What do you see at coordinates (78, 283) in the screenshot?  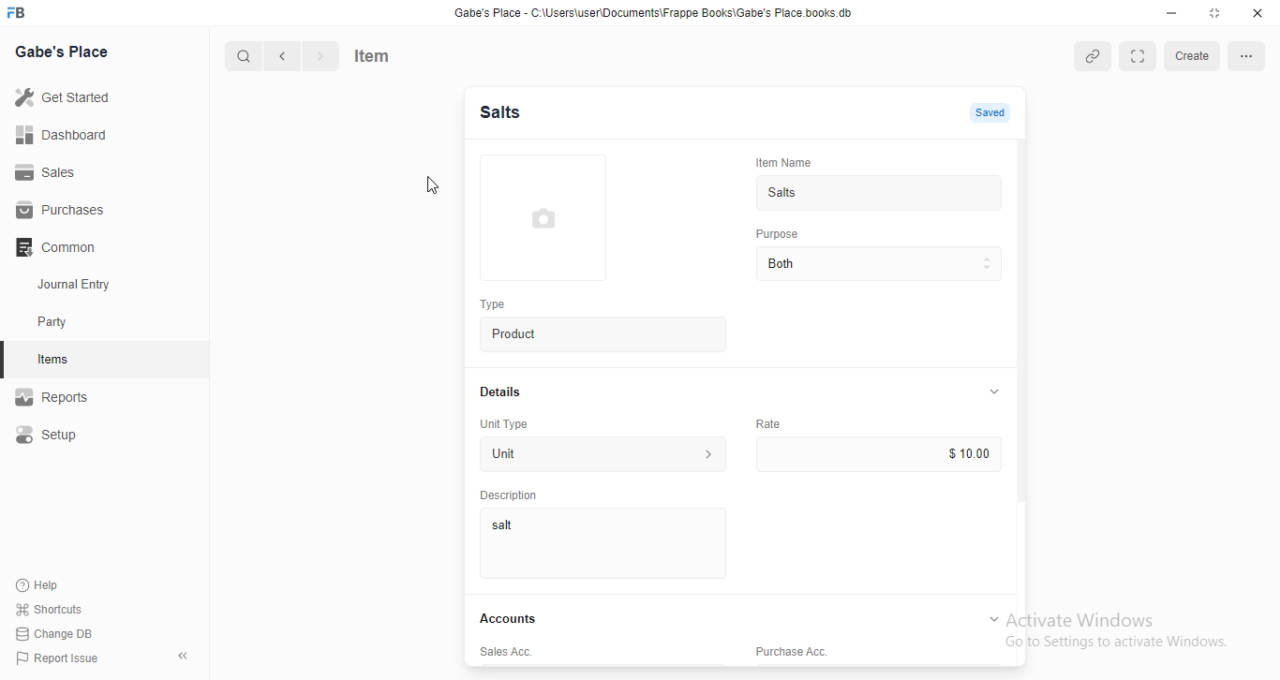 I see `Journal Entry` at bounding box center [78, 283].